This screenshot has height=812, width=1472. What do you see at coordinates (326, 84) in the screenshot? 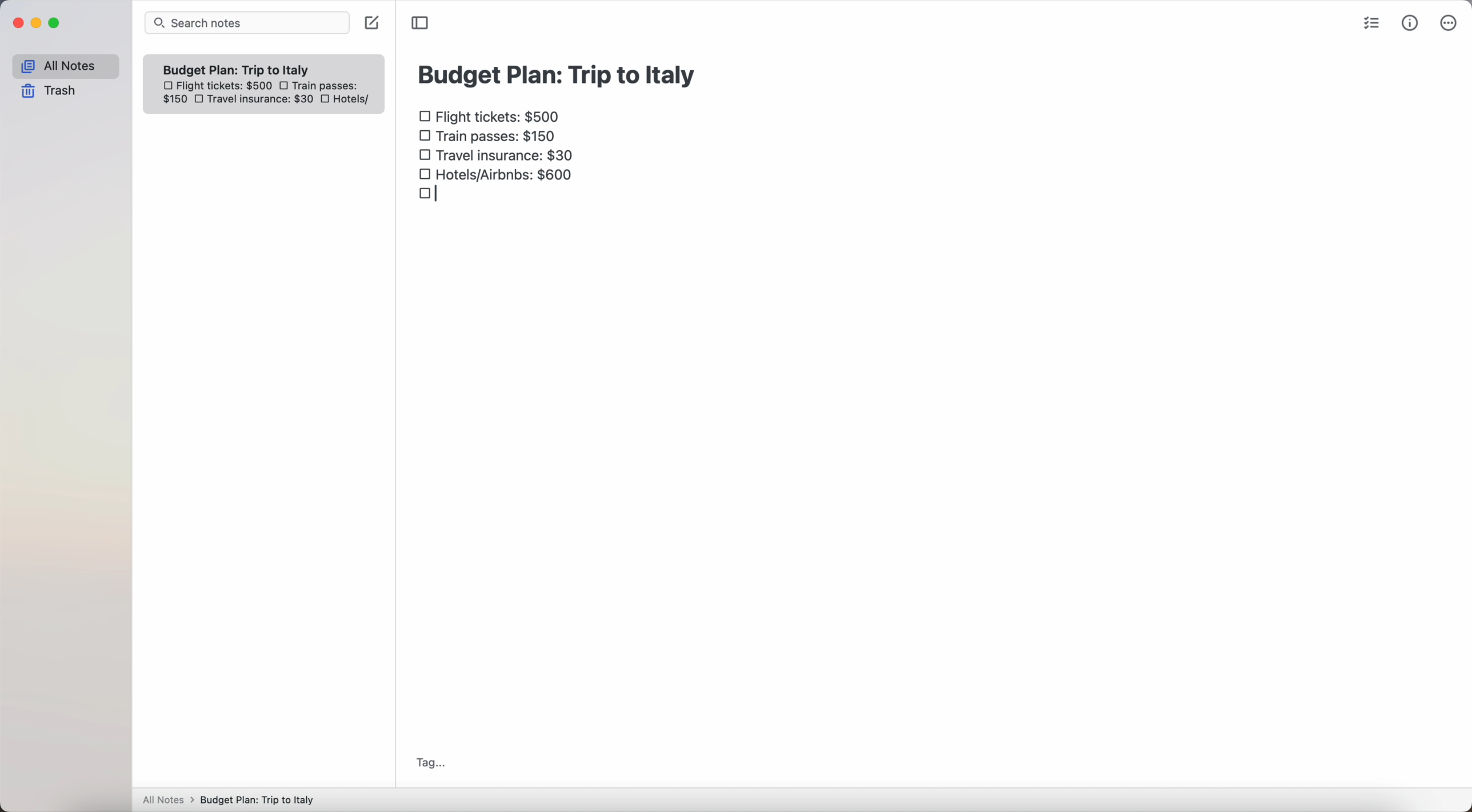
I see `train passes` at bounding box center [326, 84].